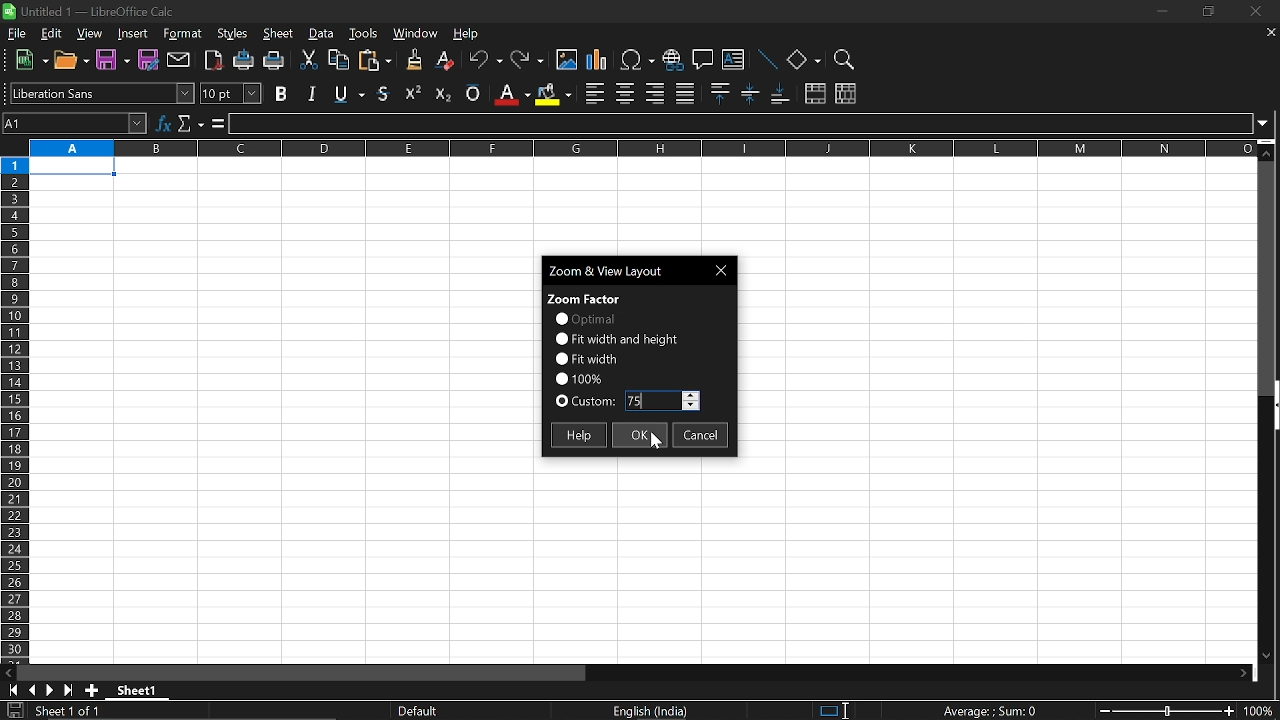 The width and height of the screenshot is (1280, 720). What do you see at coordinates (578, 377) in the screenshot?
I see `current zoom` at bounding box center [578, 377].